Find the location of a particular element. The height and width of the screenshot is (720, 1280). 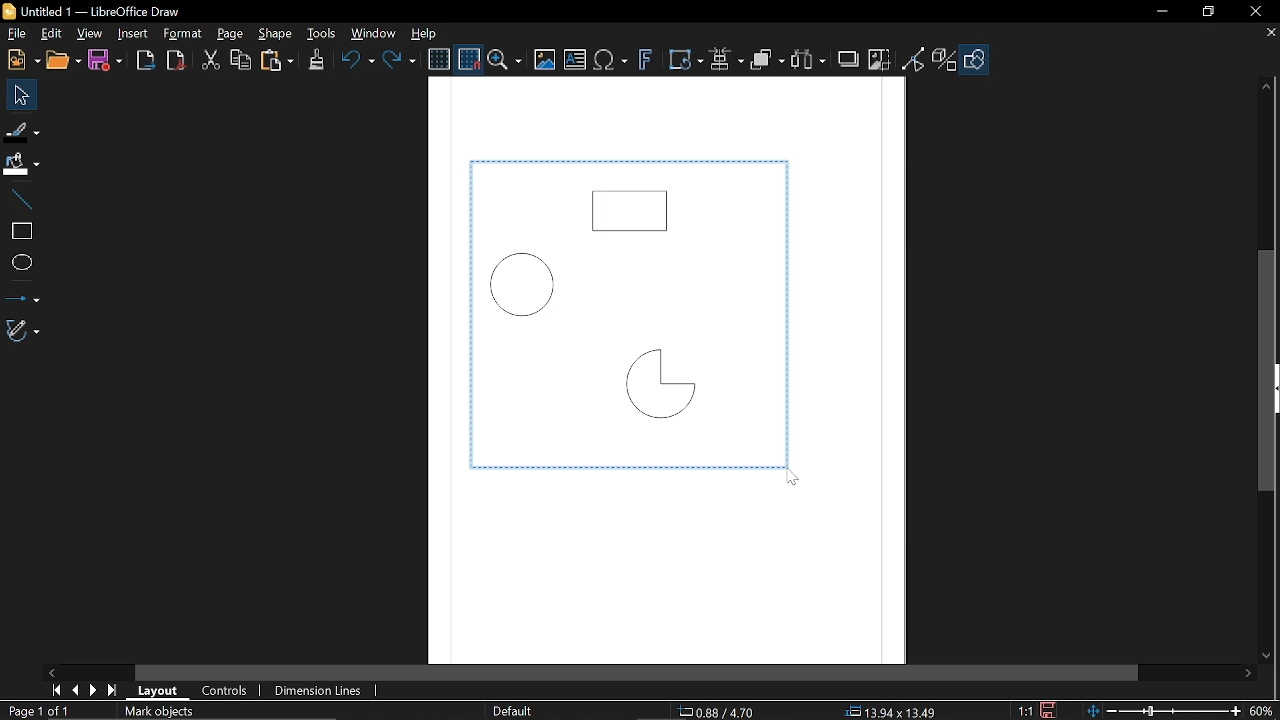

Line is located at coordinates (17, 194).